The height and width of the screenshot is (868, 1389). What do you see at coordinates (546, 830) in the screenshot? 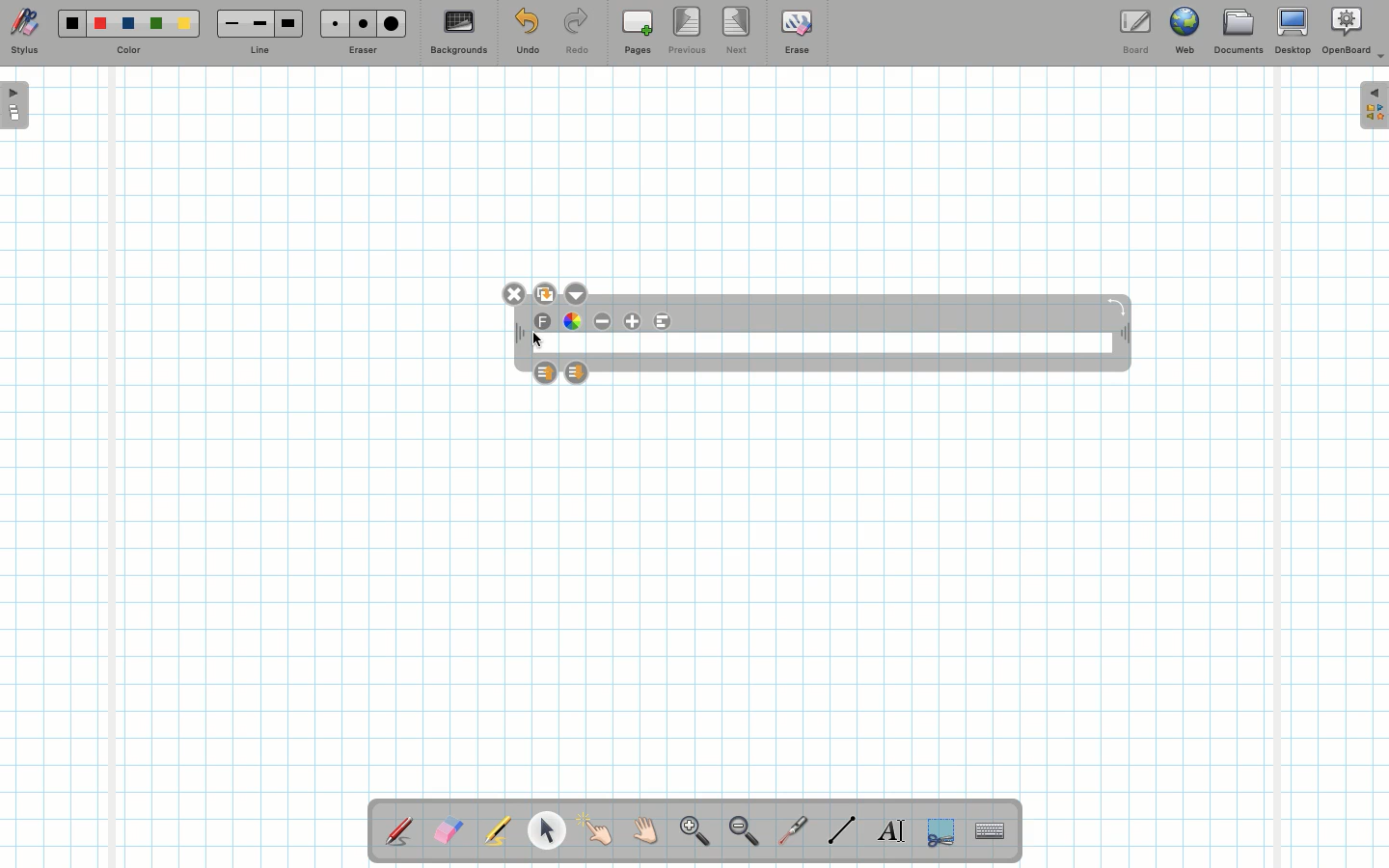
I see `Pointer` at bounding box center [546, 830].